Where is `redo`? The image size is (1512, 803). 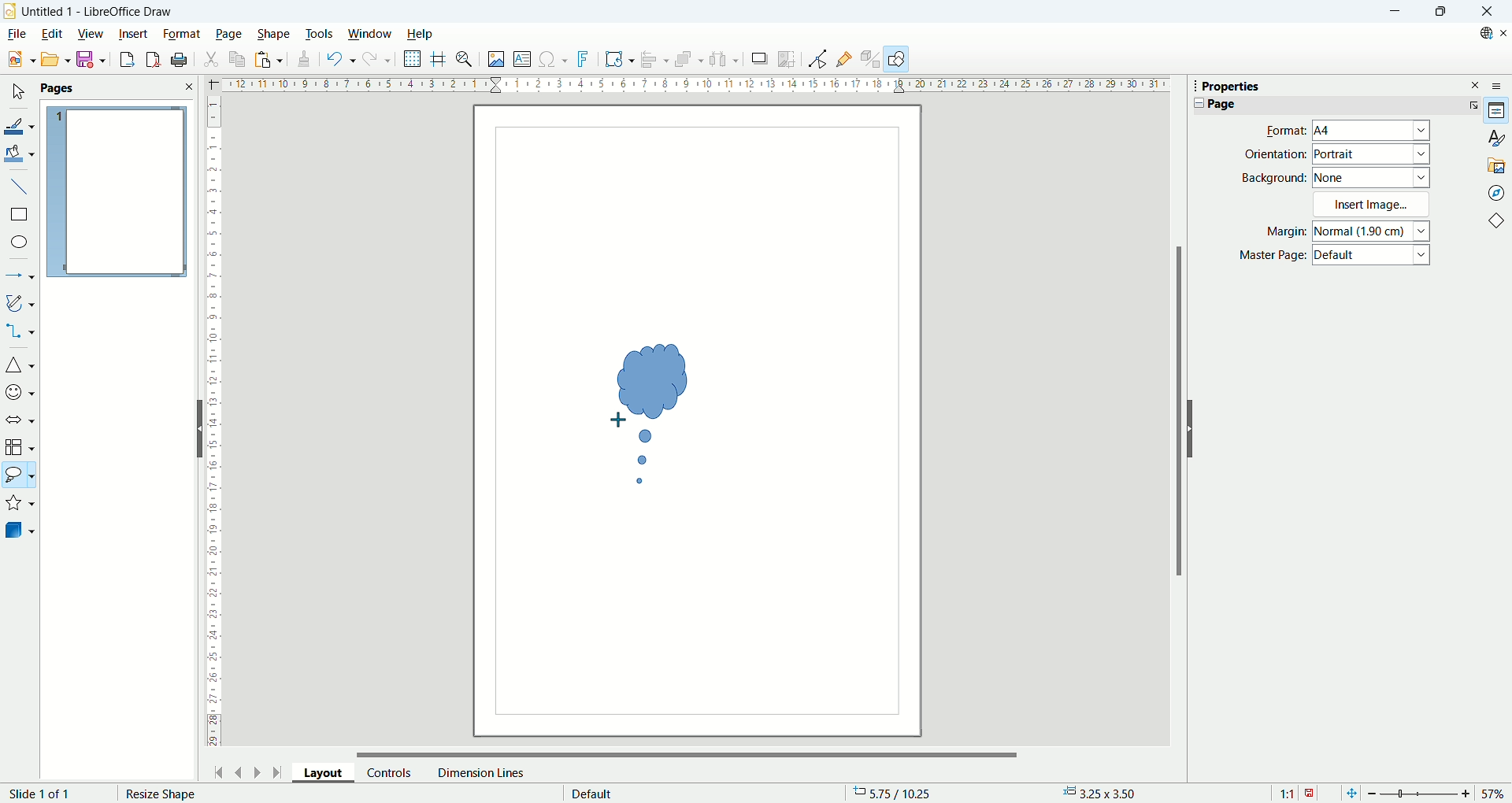 redo is located at coordinates (378, 62).